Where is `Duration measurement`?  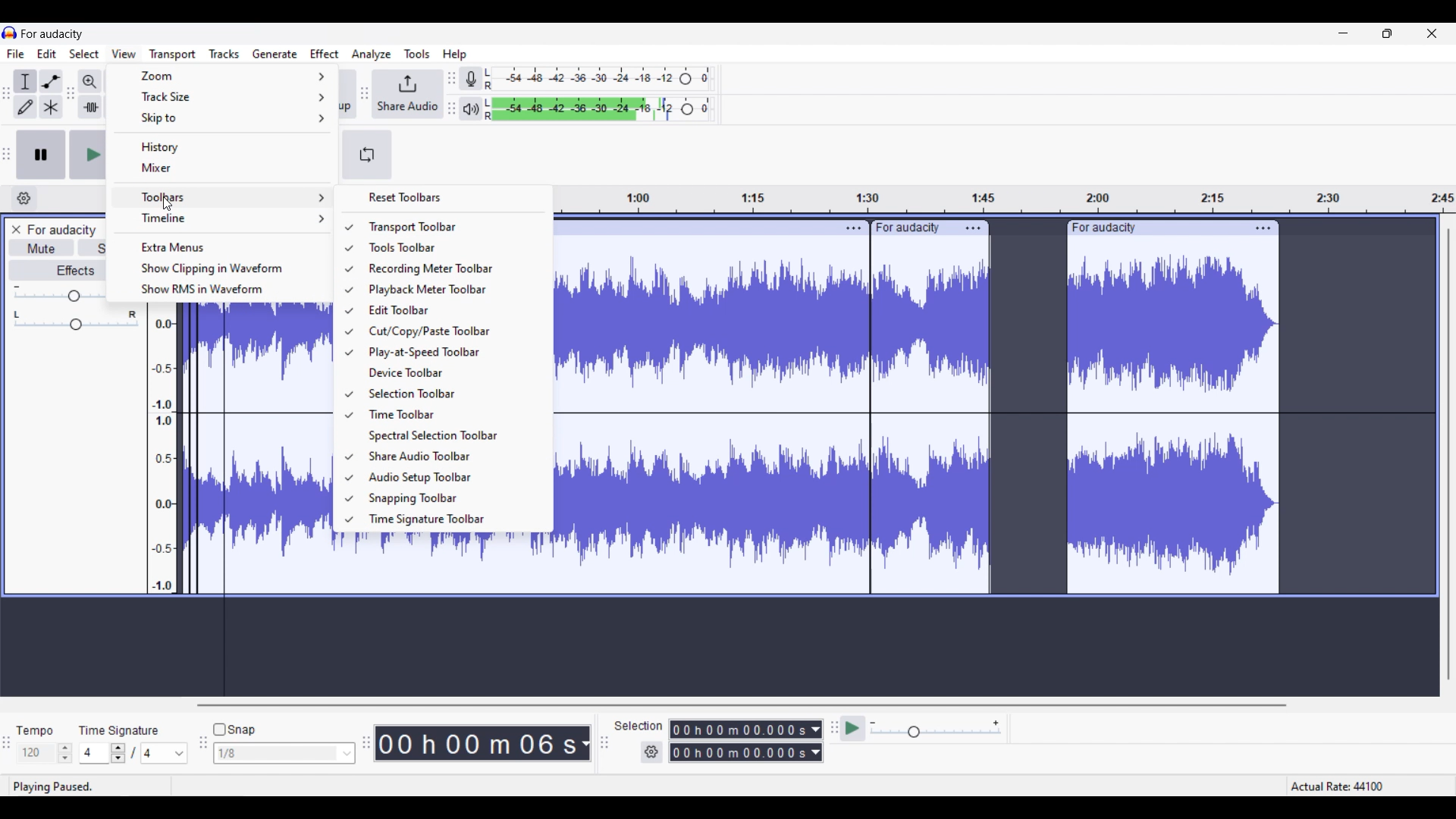 Duration measurement is located at coordinates (585, 743).